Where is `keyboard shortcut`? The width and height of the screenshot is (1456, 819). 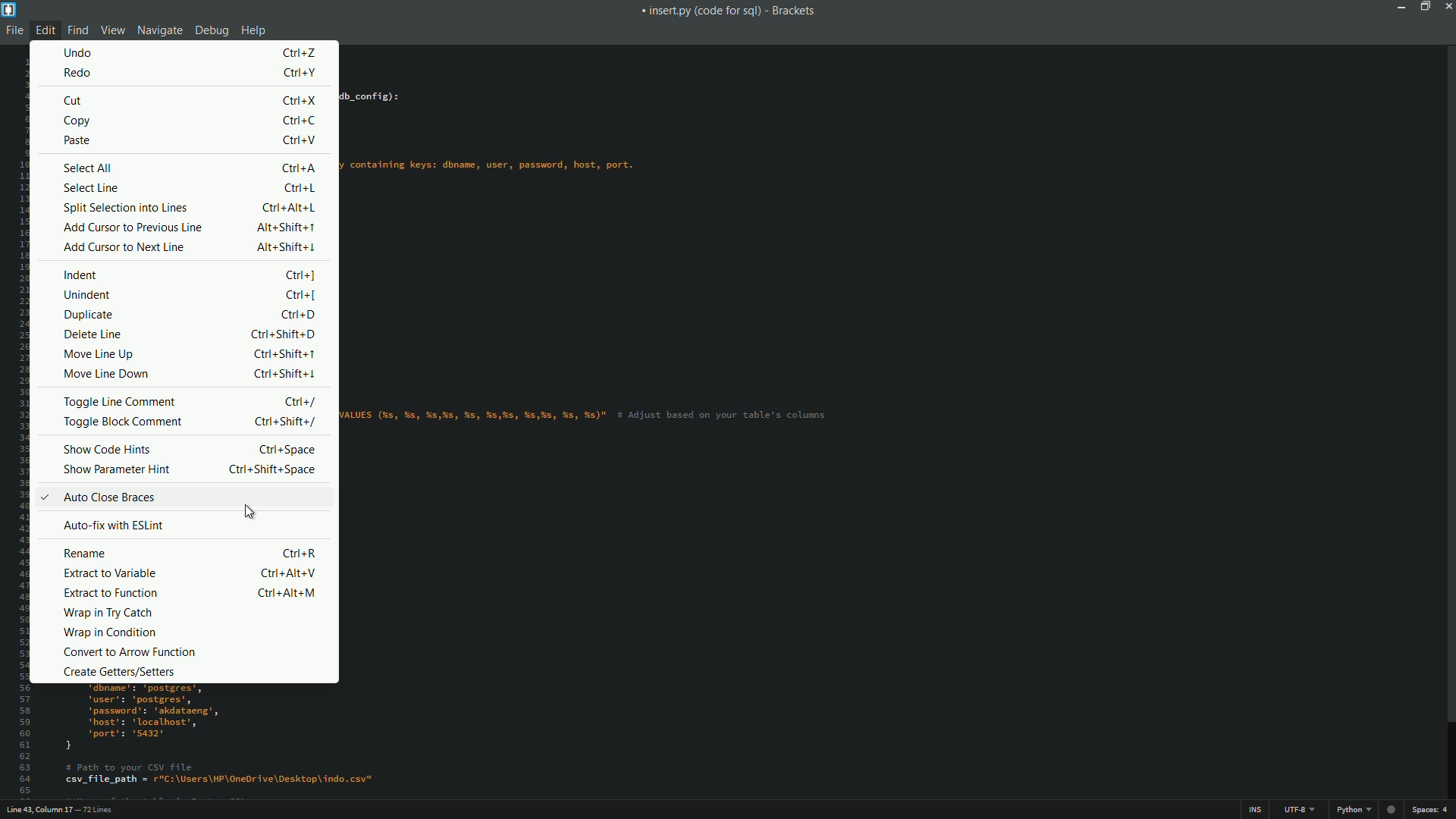 keyboard shortcut is located at coordinates (300, 297).